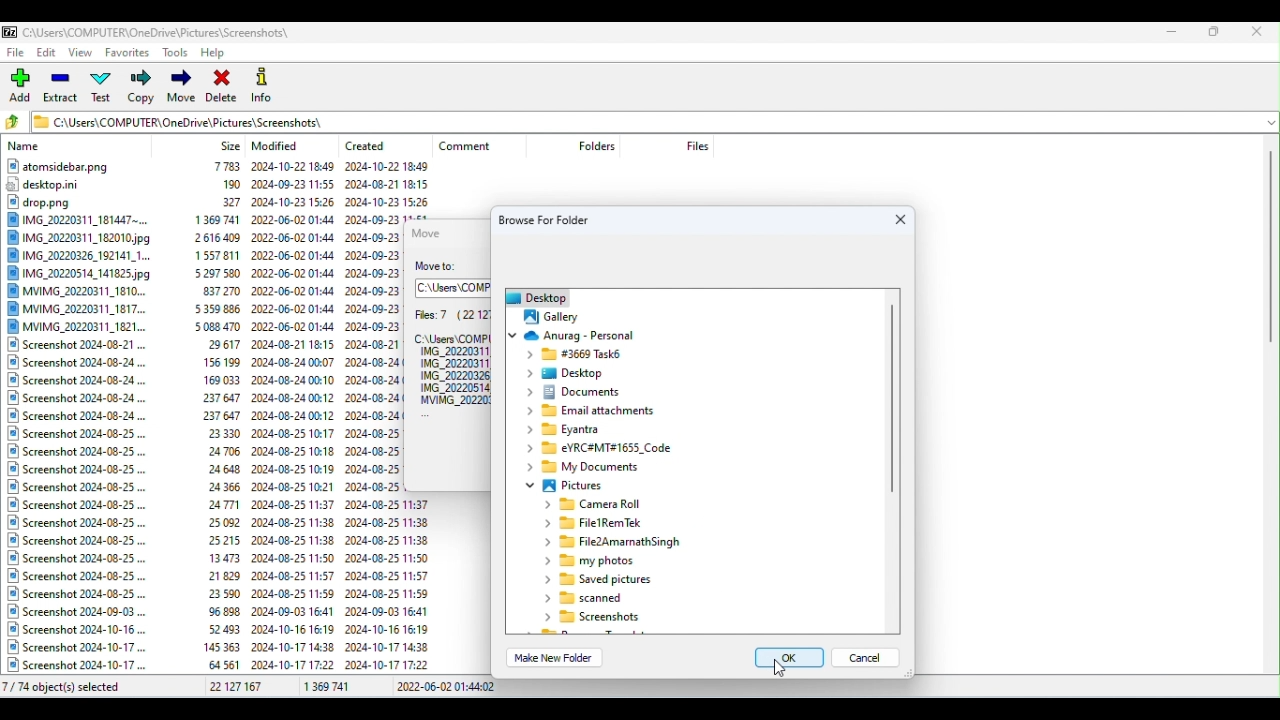 The height and width of the screenshot is (720, 1280). I want to click on Drop down menu, so click(1269, 121).